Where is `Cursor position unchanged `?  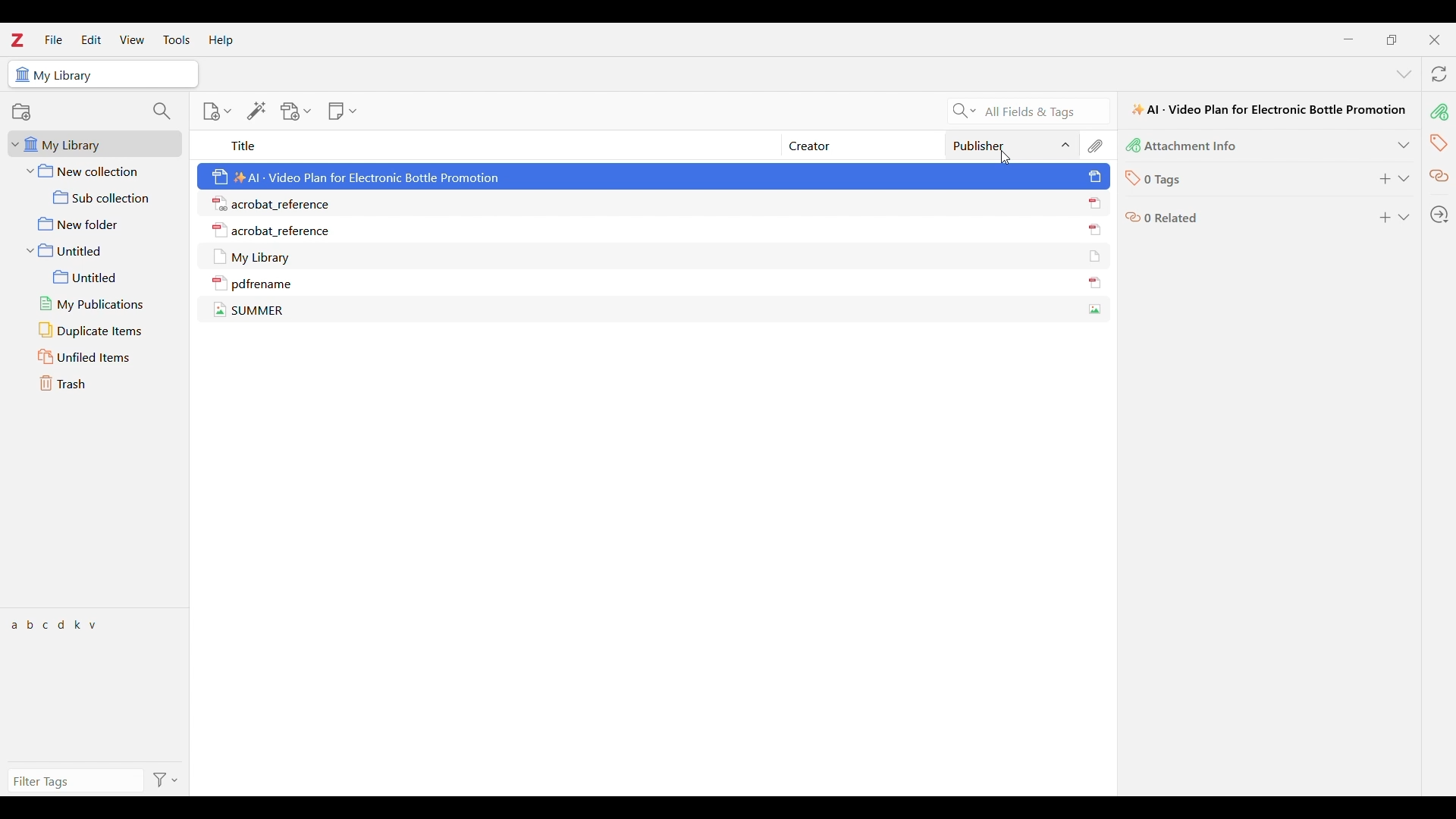
Cursor position unchanged  is located at coordinates (1006, 158).